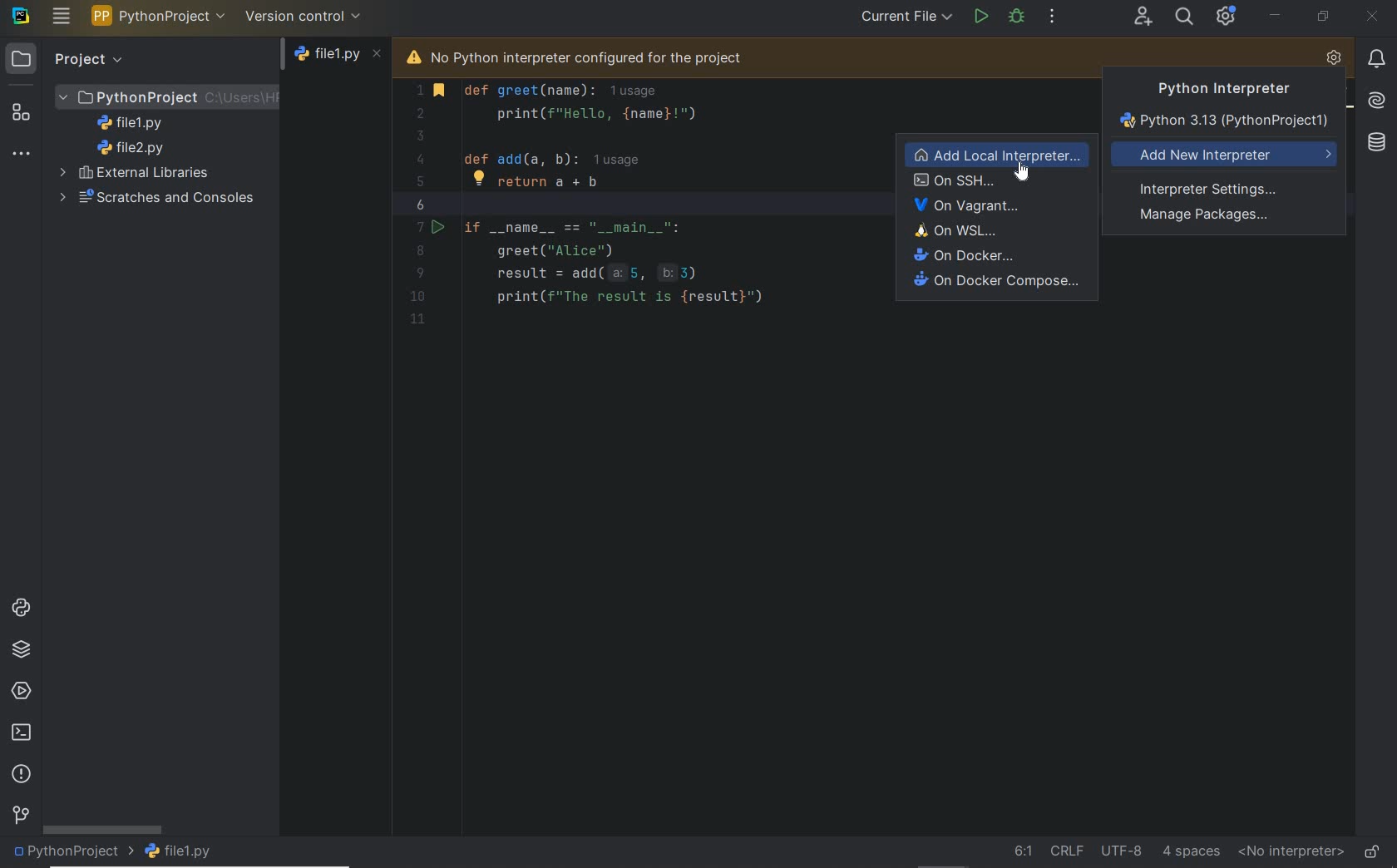 The width and height of the screenshot is (1397, 868). What do you see at coordinates (1375, 99) in the screenshot?
I see `AI Assistant` at bounding box center [1375, 99].